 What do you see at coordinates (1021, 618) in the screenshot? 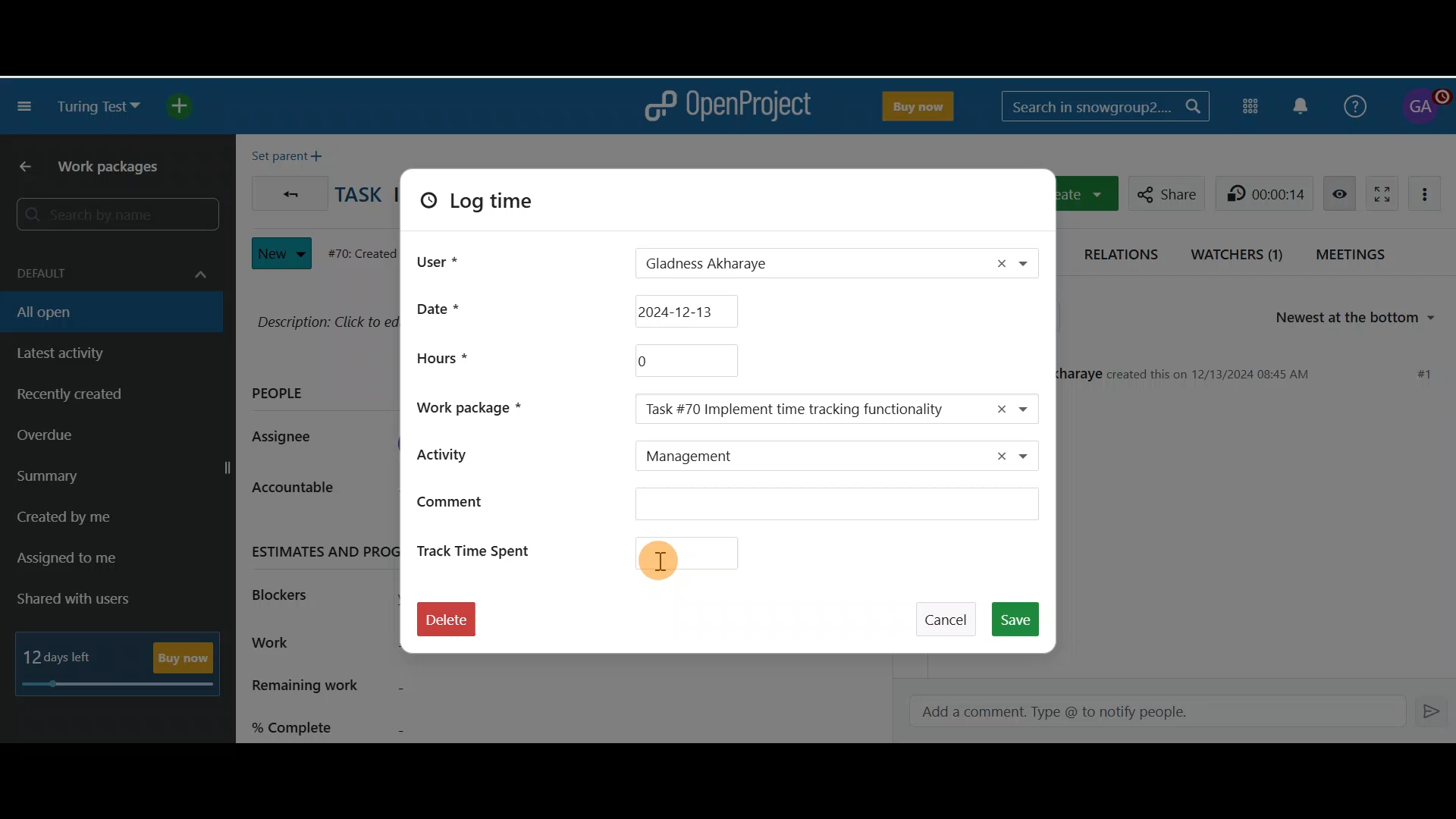
I see `Save` at bounding box center [1021, 618].